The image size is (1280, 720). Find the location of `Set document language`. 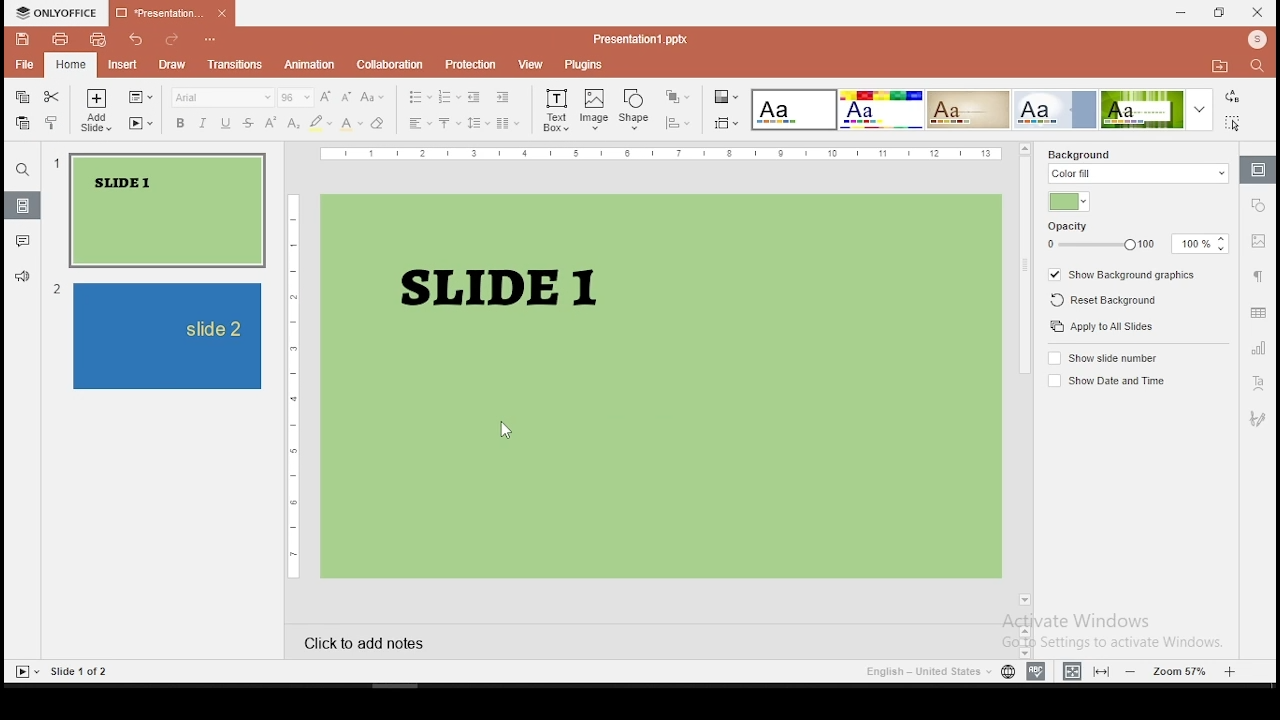

Set document language is located at coordinates (1008, 672).